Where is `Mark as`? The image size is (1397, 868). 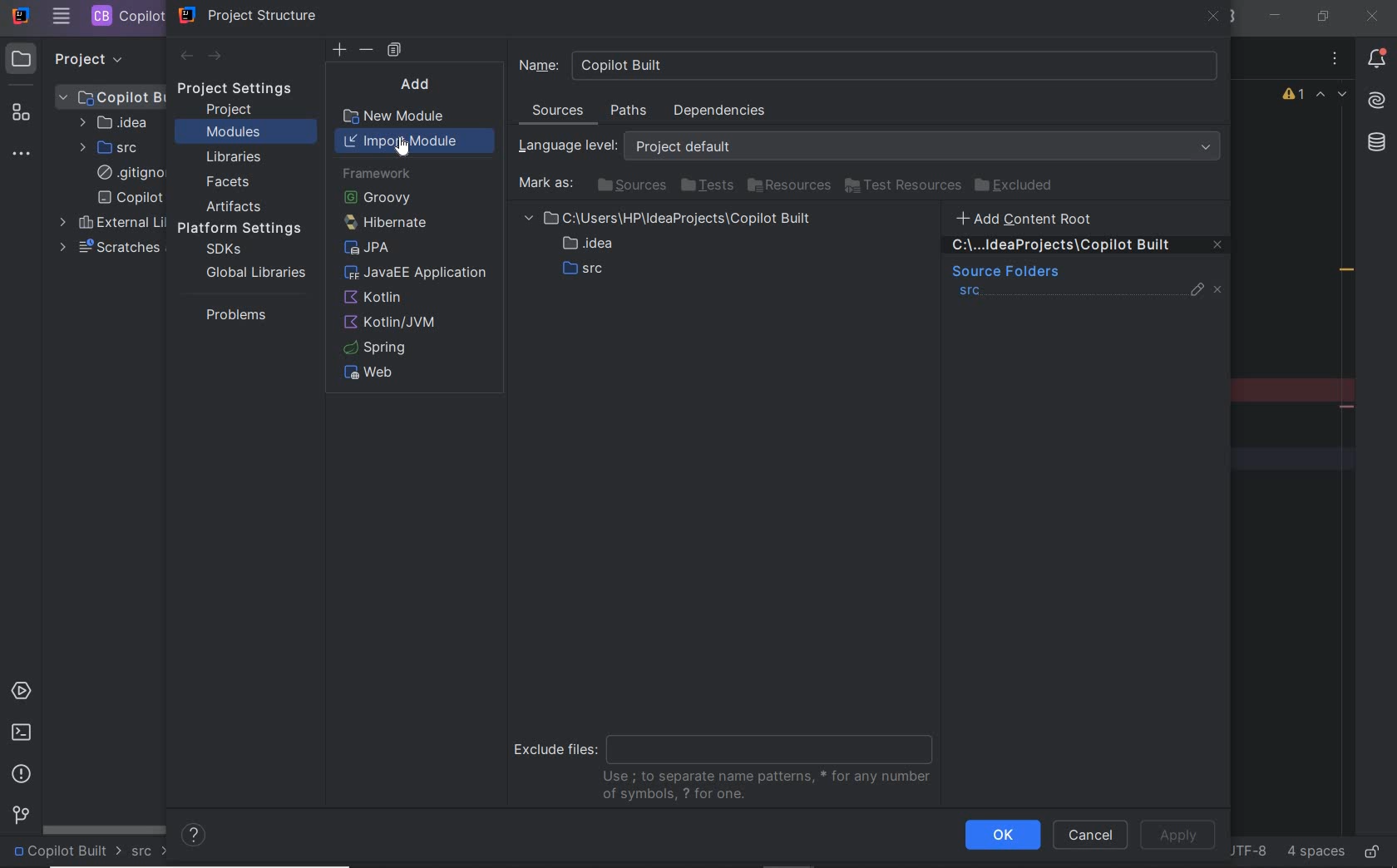
Mark as is located at coordinates (544, 184).